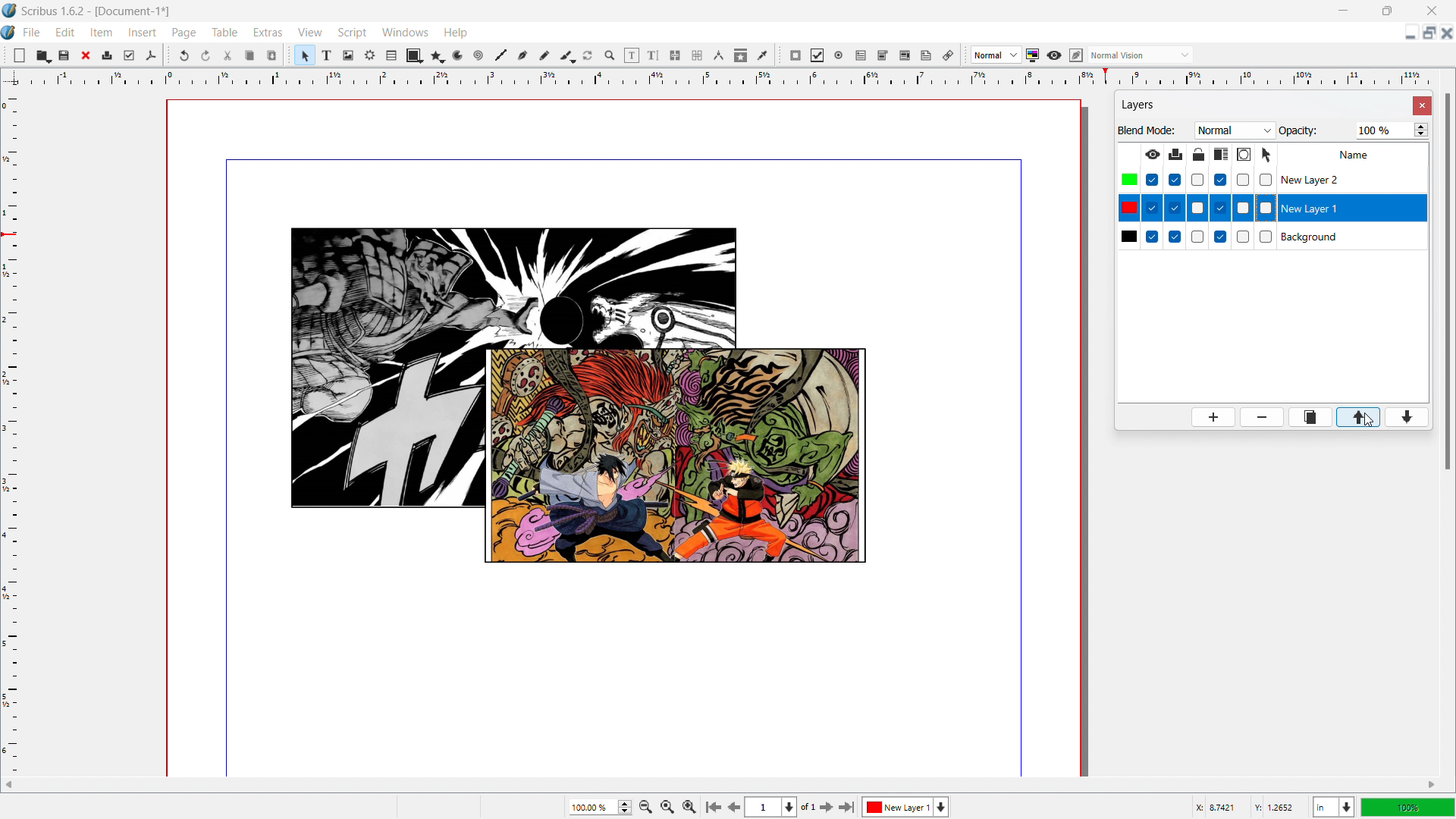 This screenshot has height=819, width=1456. What do you see at coordinates (599, 807) in the screenshot?
I see `current zoom level` at bounding box center [599, 807].